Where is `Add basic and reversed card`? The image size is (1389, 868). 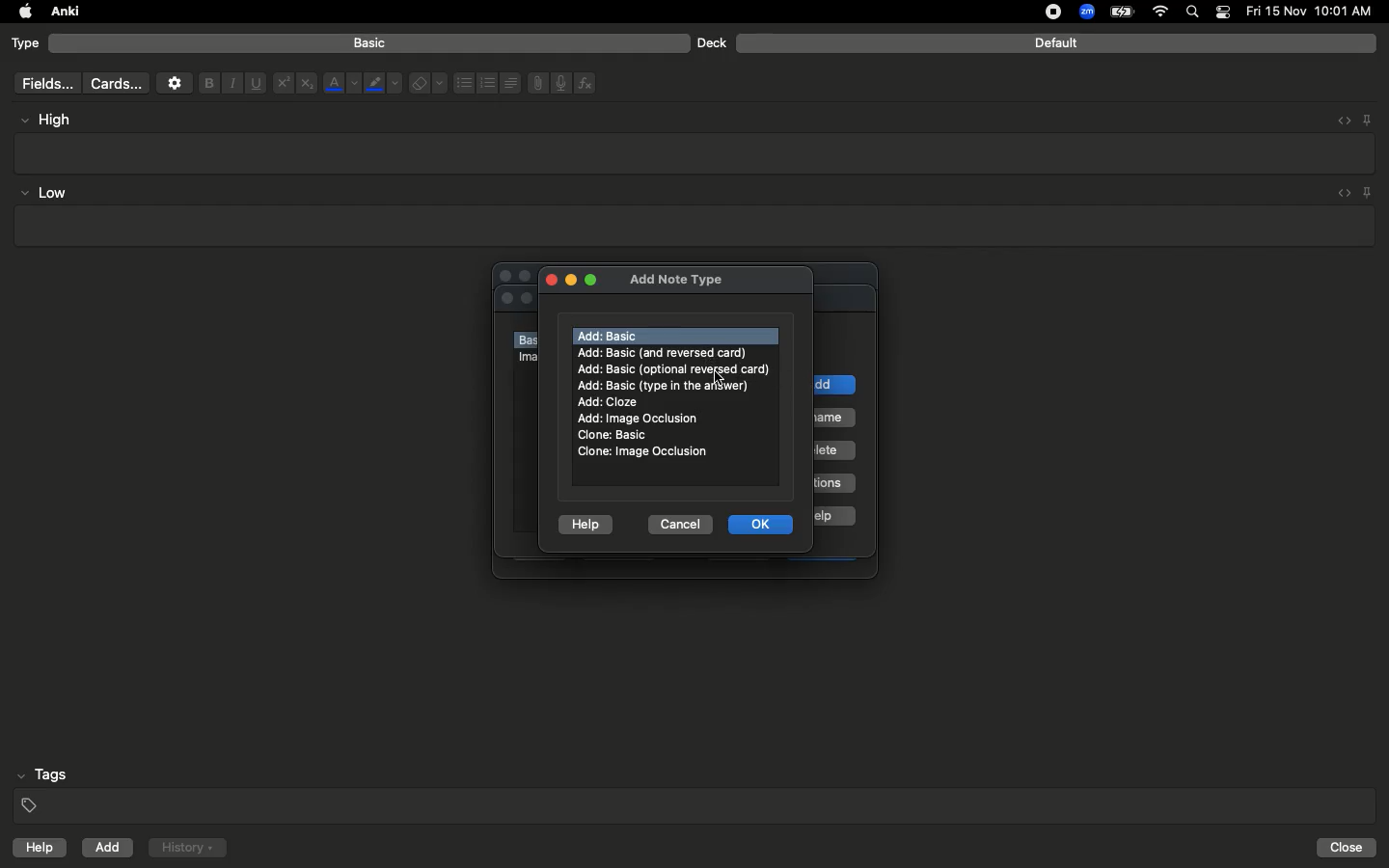 Add basic and reversed card is located at coordinates (672, 353).